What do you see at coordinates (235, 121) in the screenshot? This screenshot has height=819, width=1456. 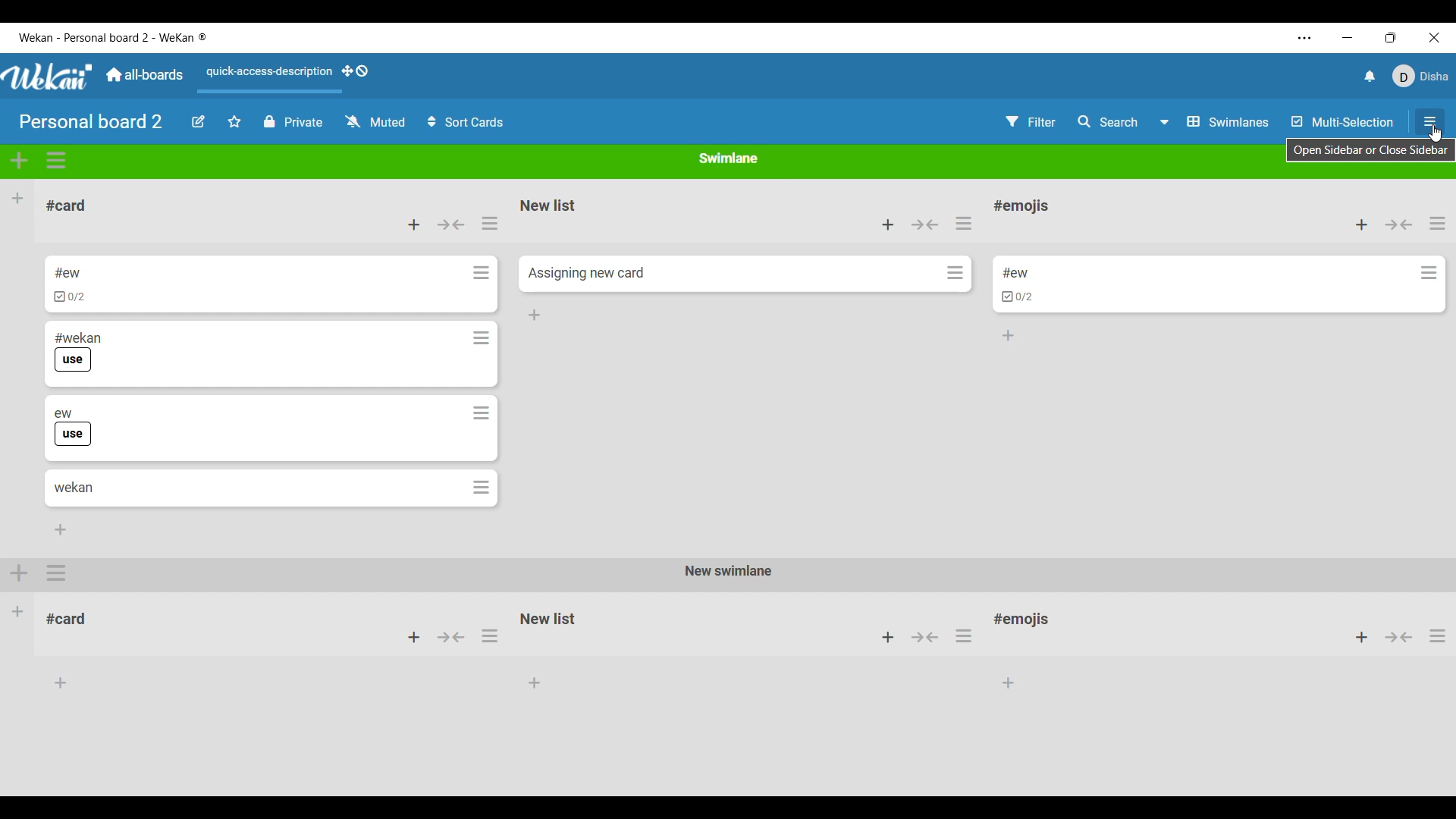 I see `Star board` at bounding box center [235, 121].